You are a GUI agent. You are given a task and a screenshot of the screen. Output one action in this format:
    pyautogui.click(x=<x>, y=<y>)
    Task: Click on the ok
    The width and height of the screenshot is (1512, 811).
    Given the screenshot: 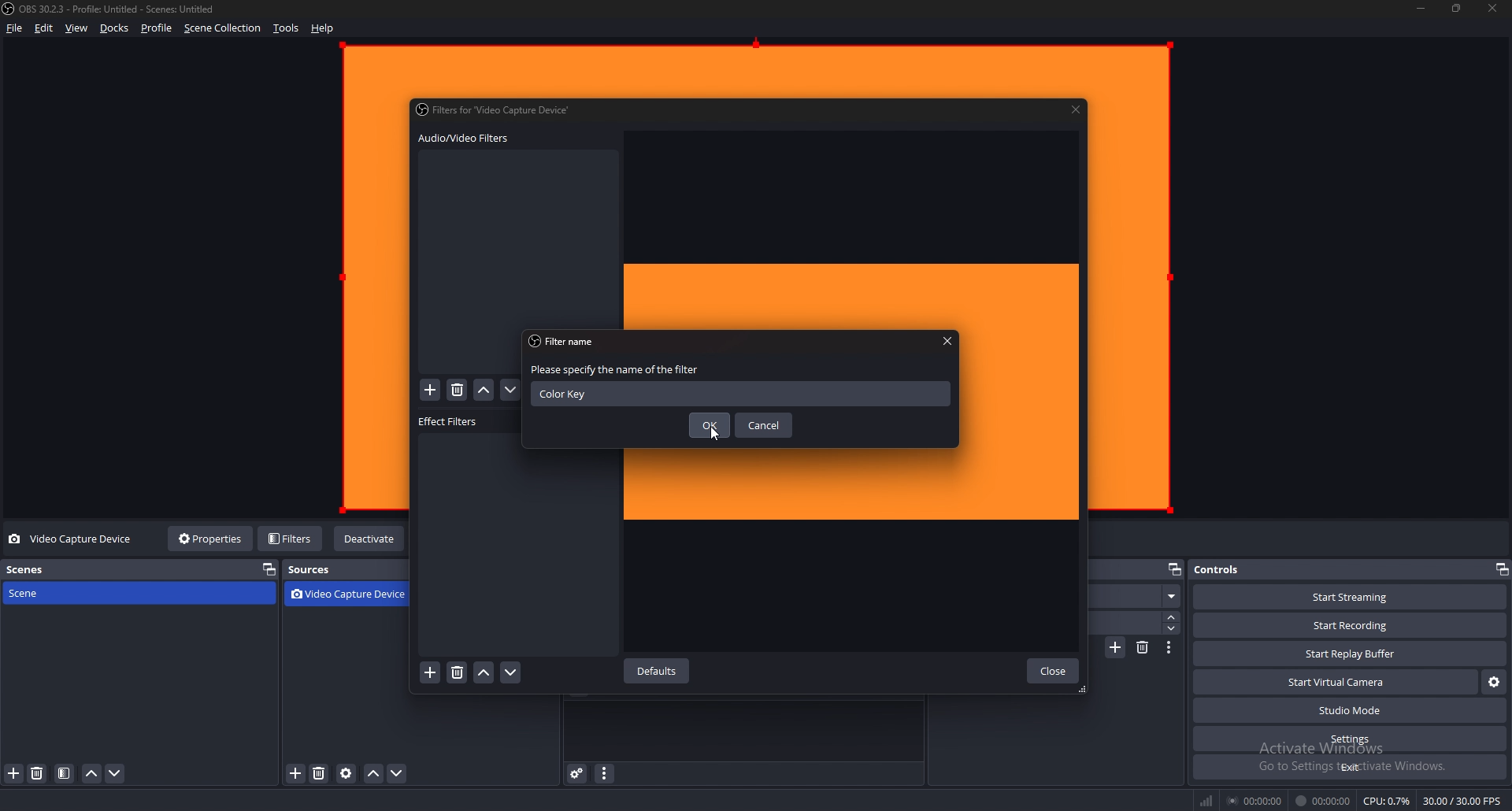 What is the action you would take?
    pyautogui.click(x=709, y=424)
    